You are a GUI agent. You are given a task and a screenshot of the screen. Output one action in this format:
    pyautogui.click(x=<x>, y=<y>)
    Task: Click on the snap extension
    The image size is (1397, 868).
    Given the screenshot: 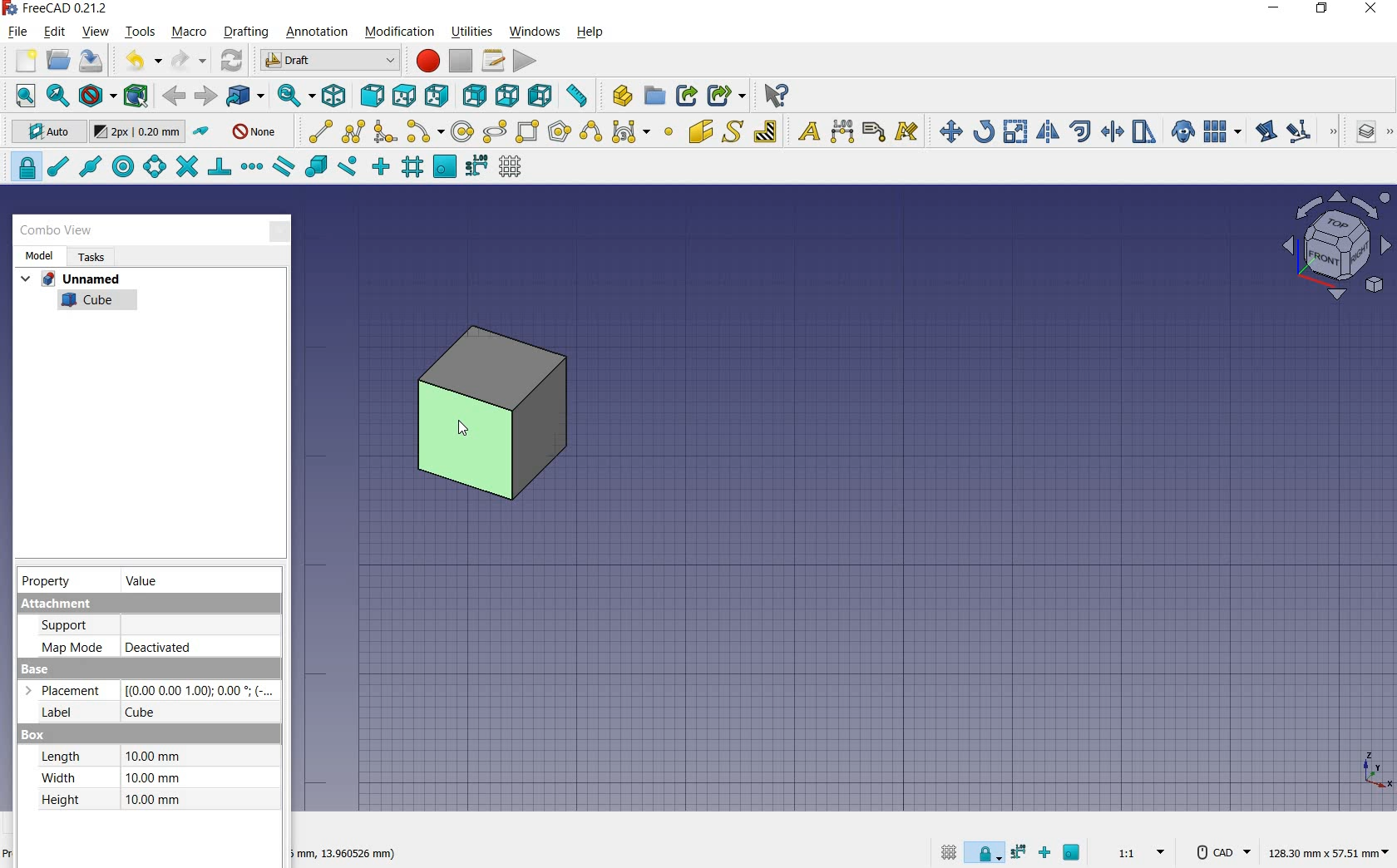 What is the action you would take?
    pyautogui.click(x=252, y=167)
    